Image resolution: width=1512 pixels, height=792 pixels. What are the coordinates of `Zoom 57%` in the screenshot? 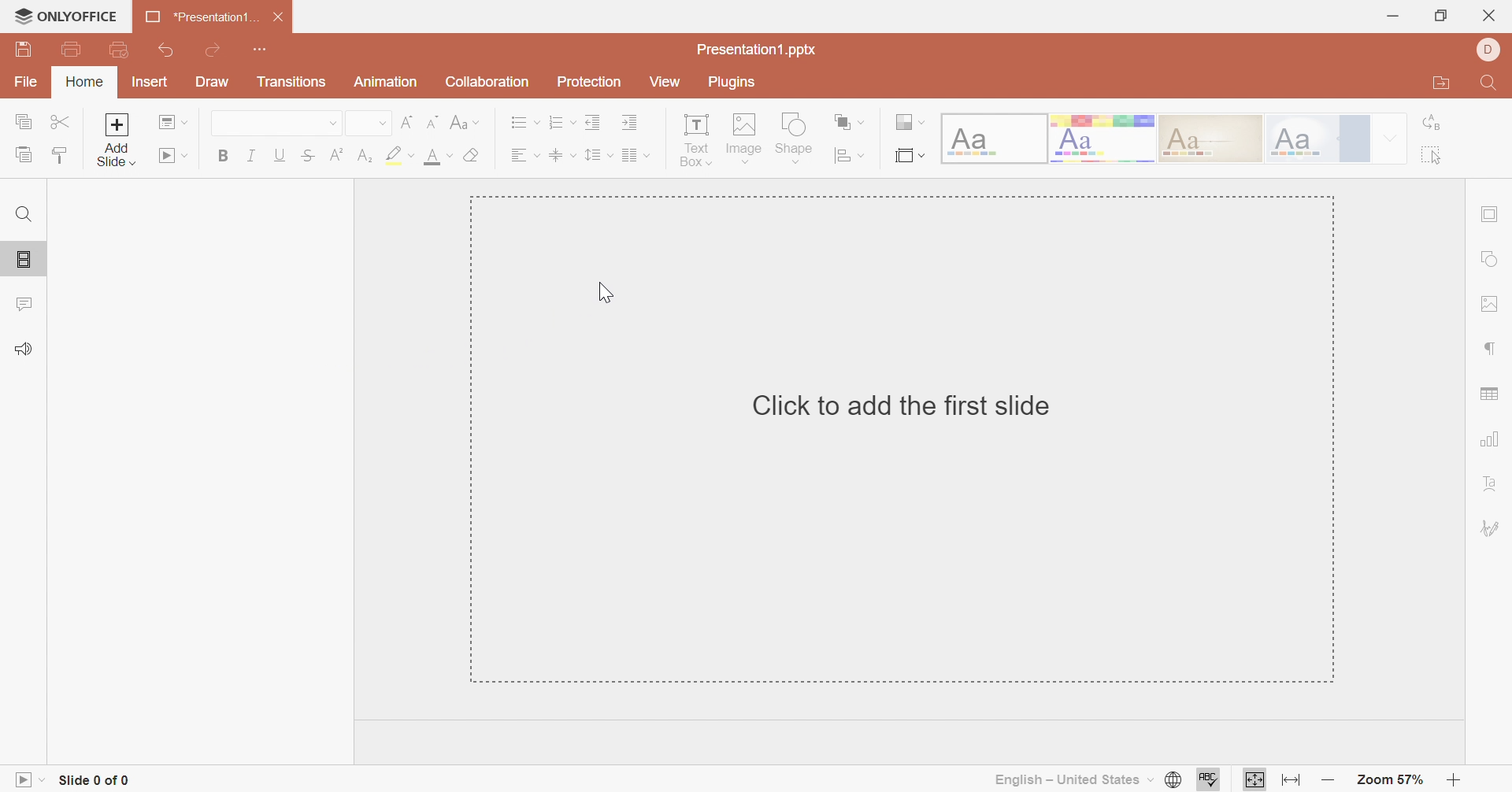 It's located at (1392, 779).